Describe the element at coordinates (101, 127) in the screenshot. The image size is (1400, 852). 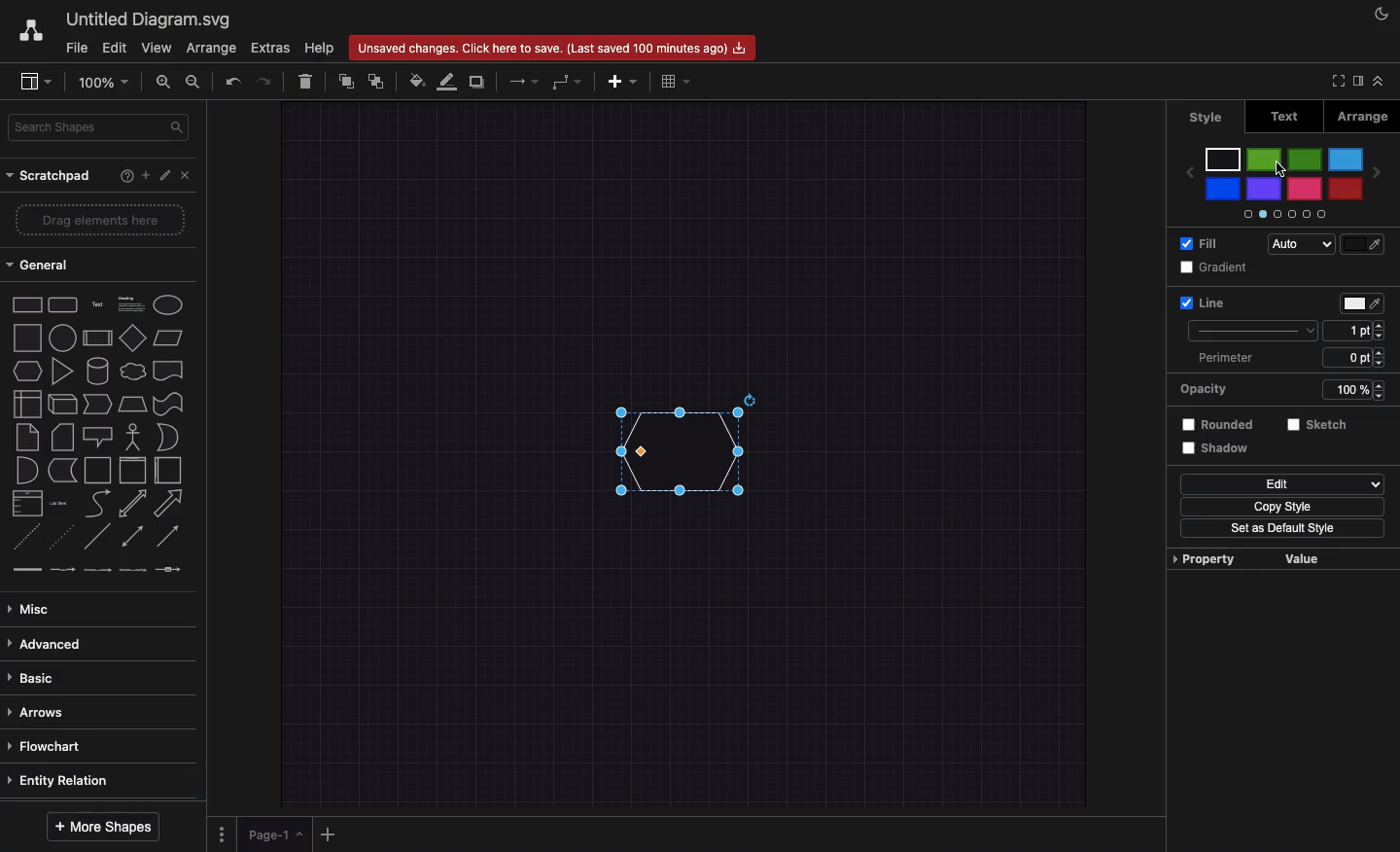
I see `Search shapes` at that location.